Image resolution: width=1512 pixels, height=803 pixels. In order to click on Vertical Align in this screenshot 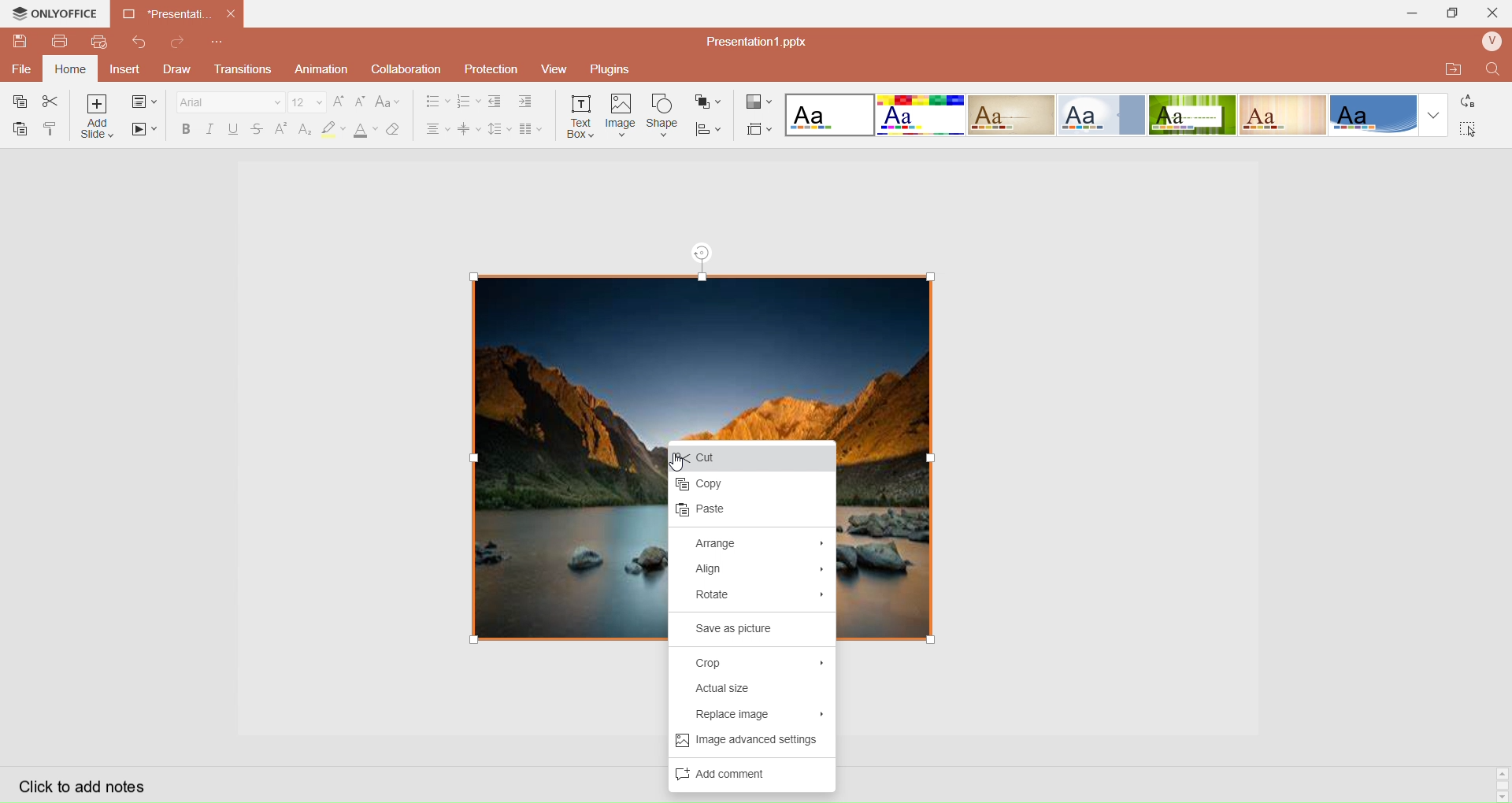, I will do `click(470, 129)`.